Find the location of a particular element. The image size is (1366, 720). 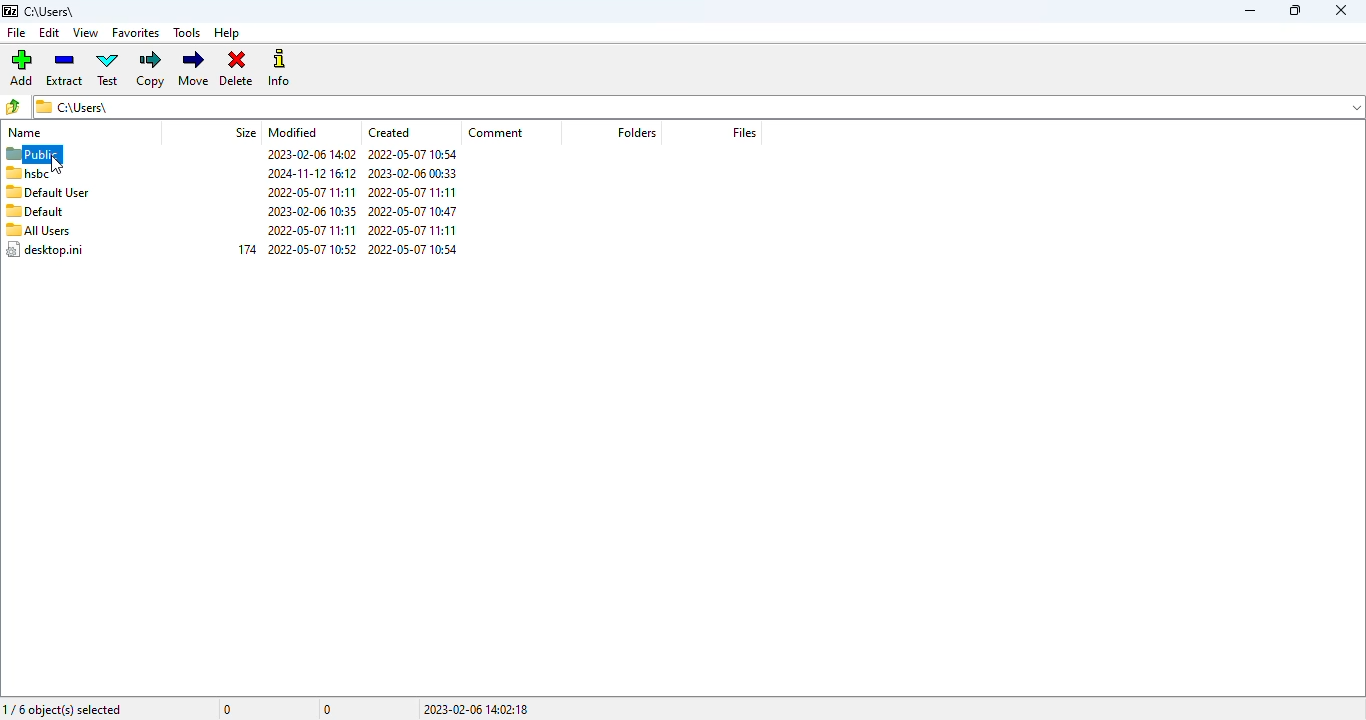

help is located at coordinates (227, 33).